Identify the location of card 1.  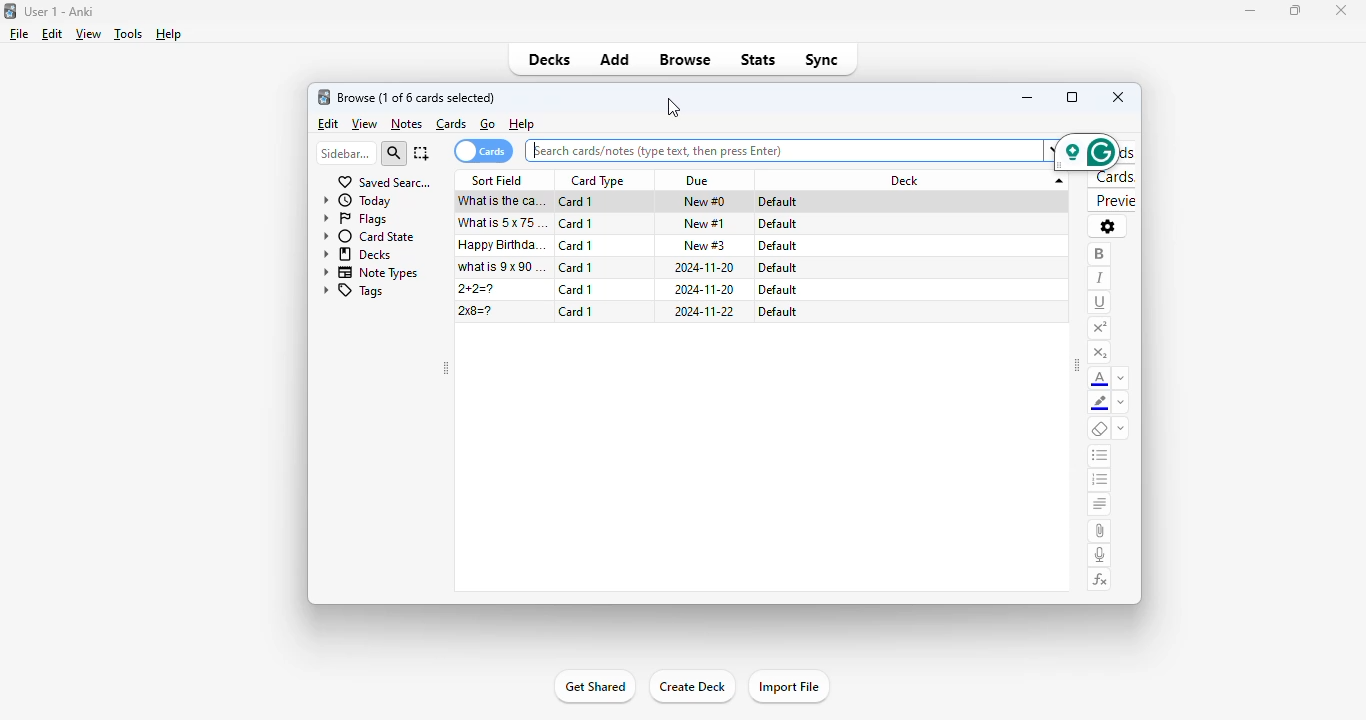
(576, 267).